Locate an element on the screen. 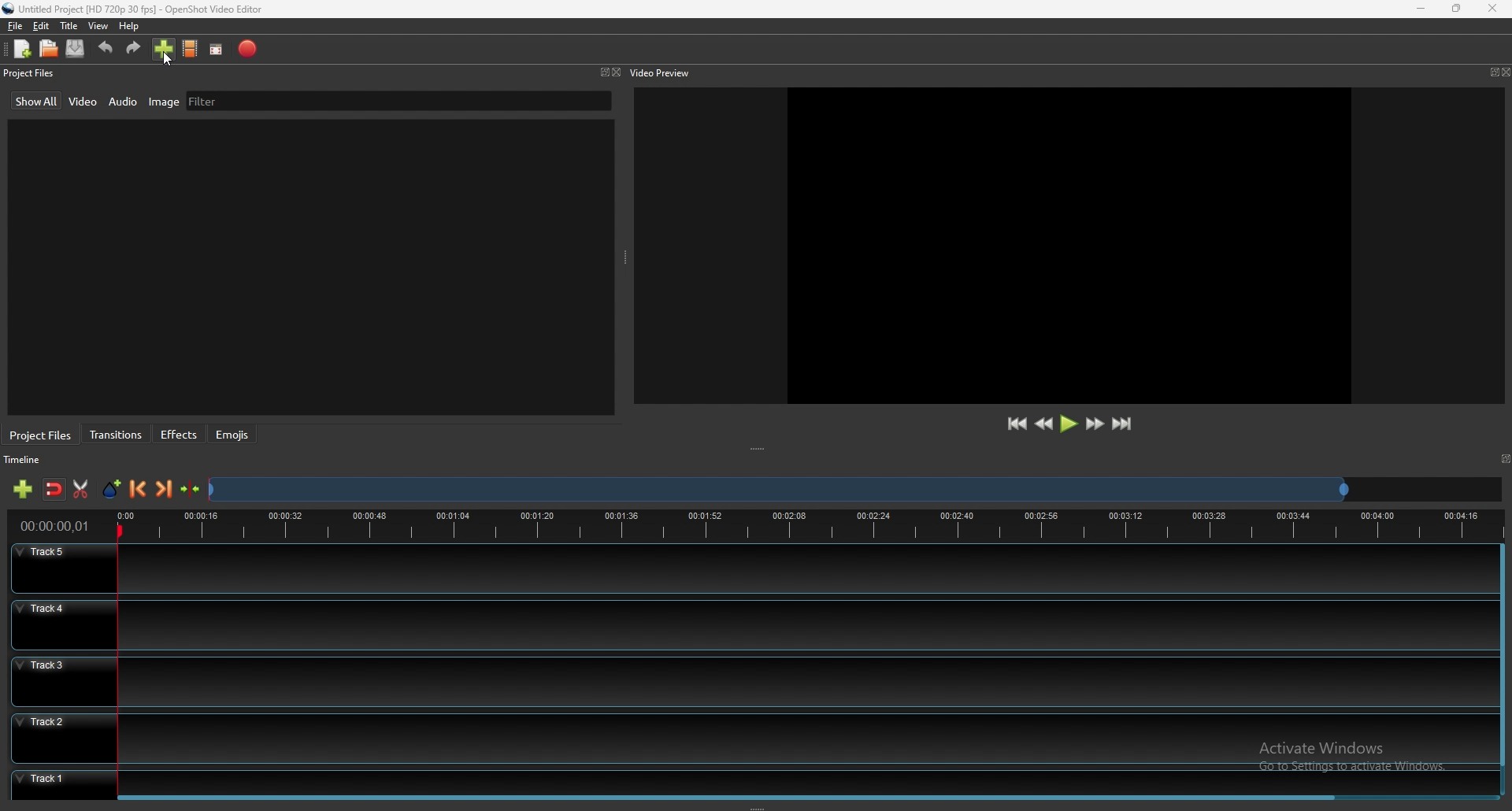 Image resolution: width=1512 pixels, height=811 pixels. file is located at coordinates (17, 26).